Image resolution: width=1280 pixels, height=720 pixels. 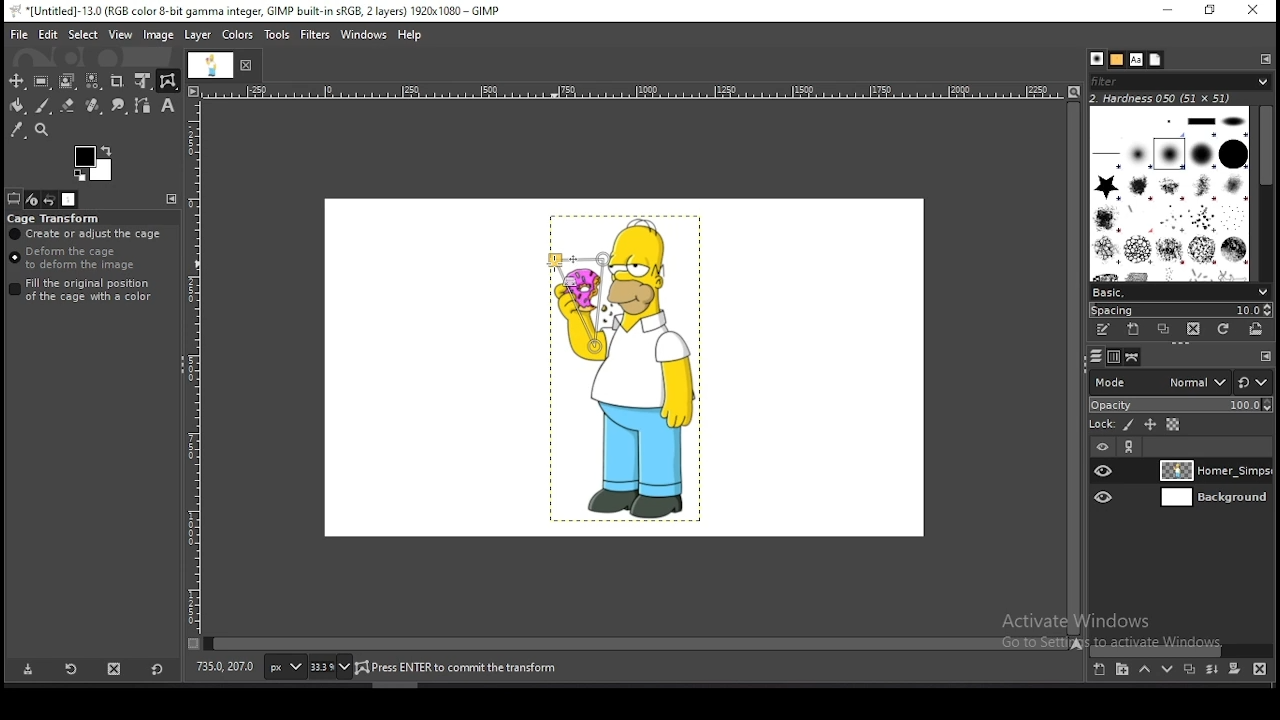 I want to click on cage transform tool, so click(x=168, y=81).